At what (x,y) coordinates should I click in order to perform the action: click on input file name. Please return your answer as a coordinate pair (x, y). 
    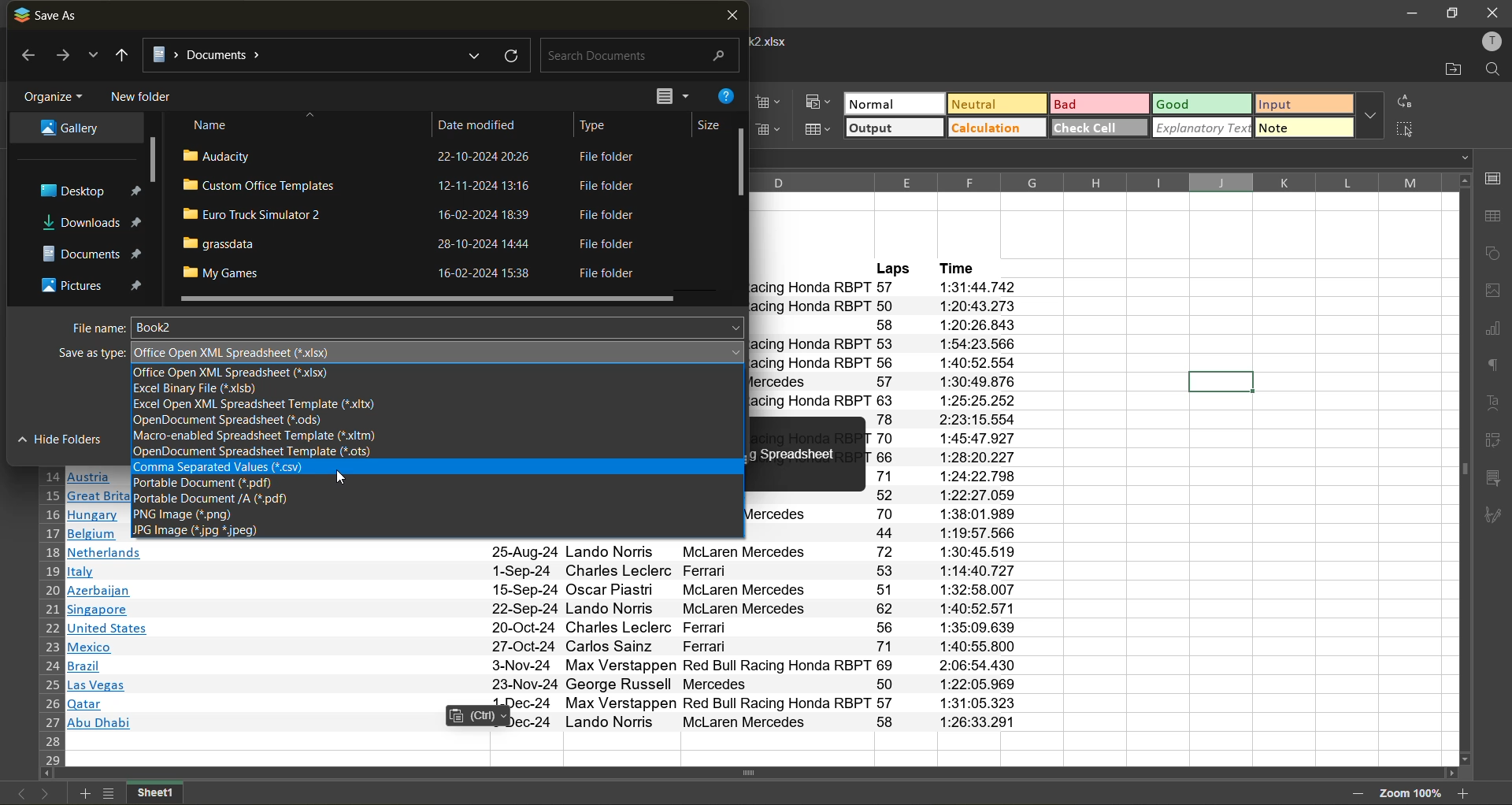
    Looking at the image, I should click on (439, 327).